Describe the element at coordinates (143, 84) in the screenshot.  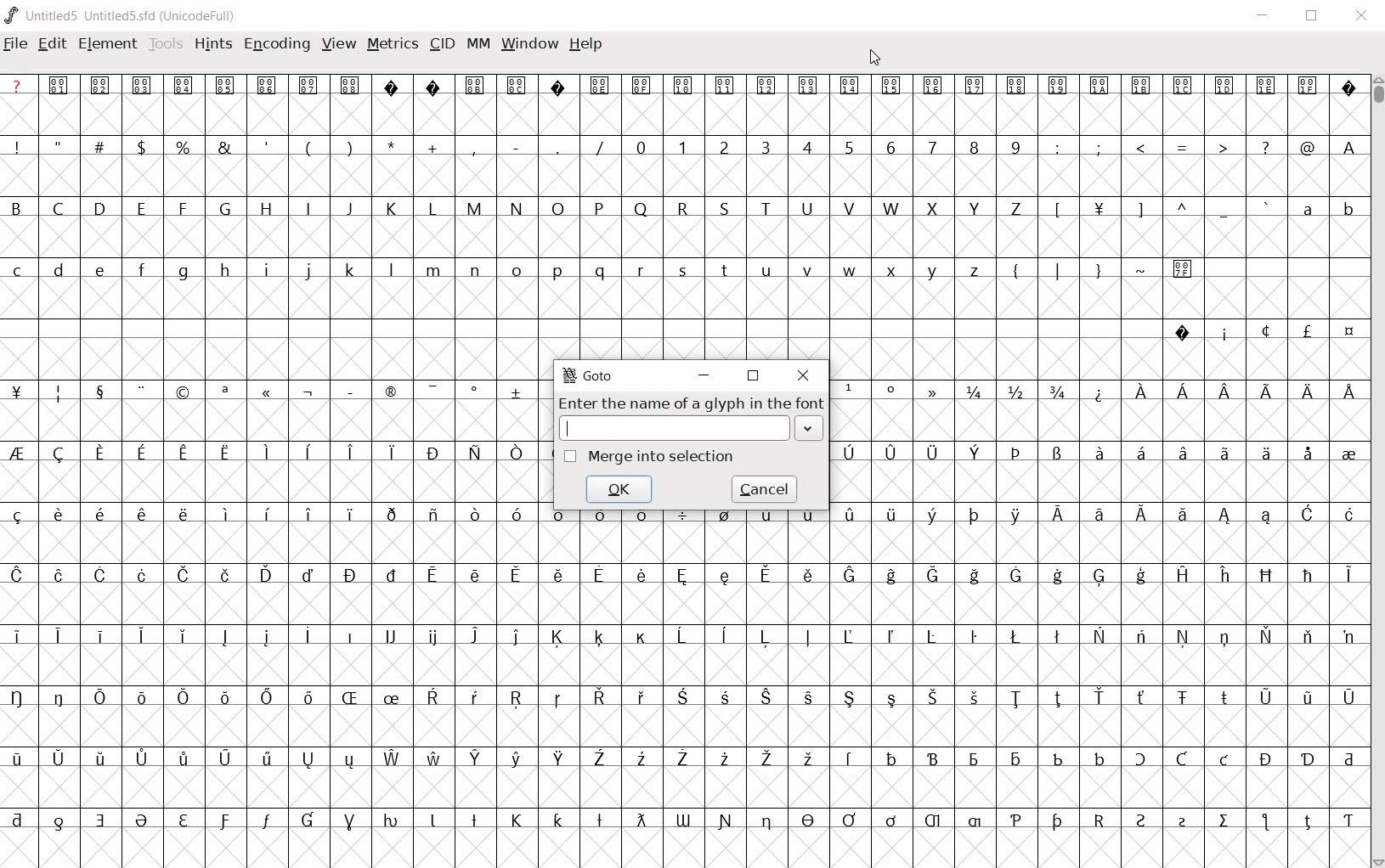
I see `Symbol` at that location.